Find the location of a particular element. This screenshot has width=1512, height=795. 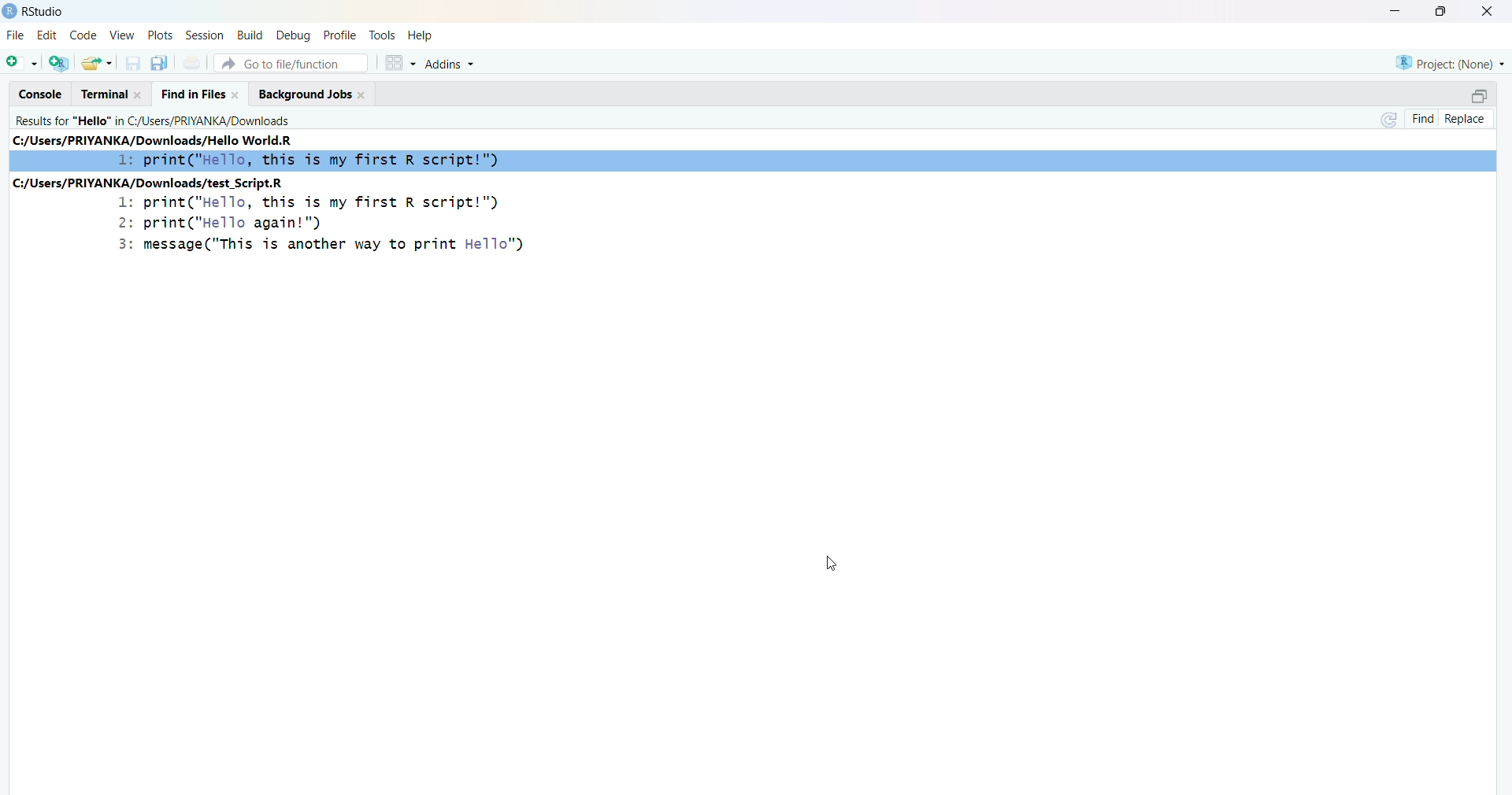

close is located at coordinates (1490, 11).